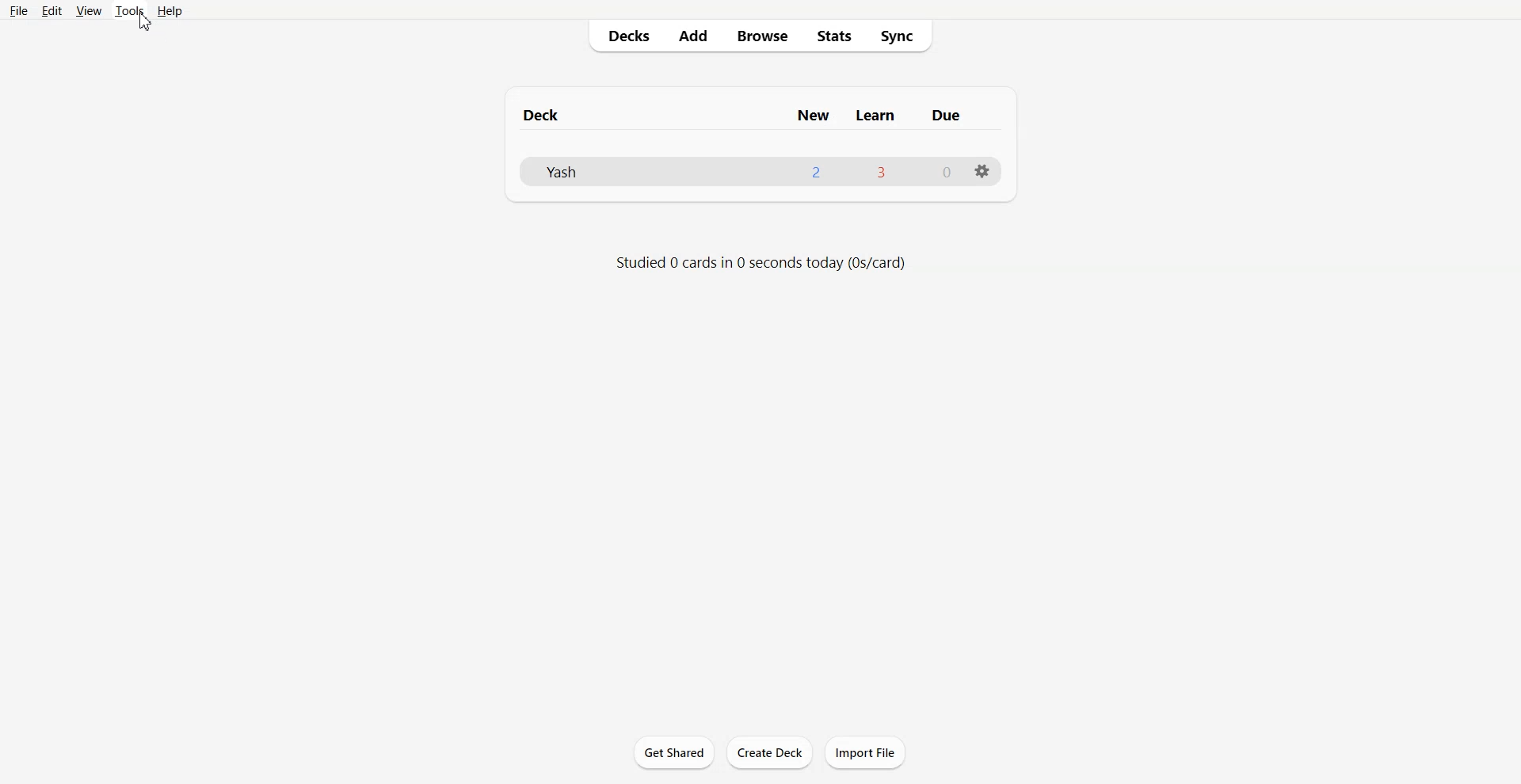 Image resolution: width=1521 pixels, height=784 pixels. Describe the element at coordinates (51, 10) in the screenshot. I see `Edit` at that location.